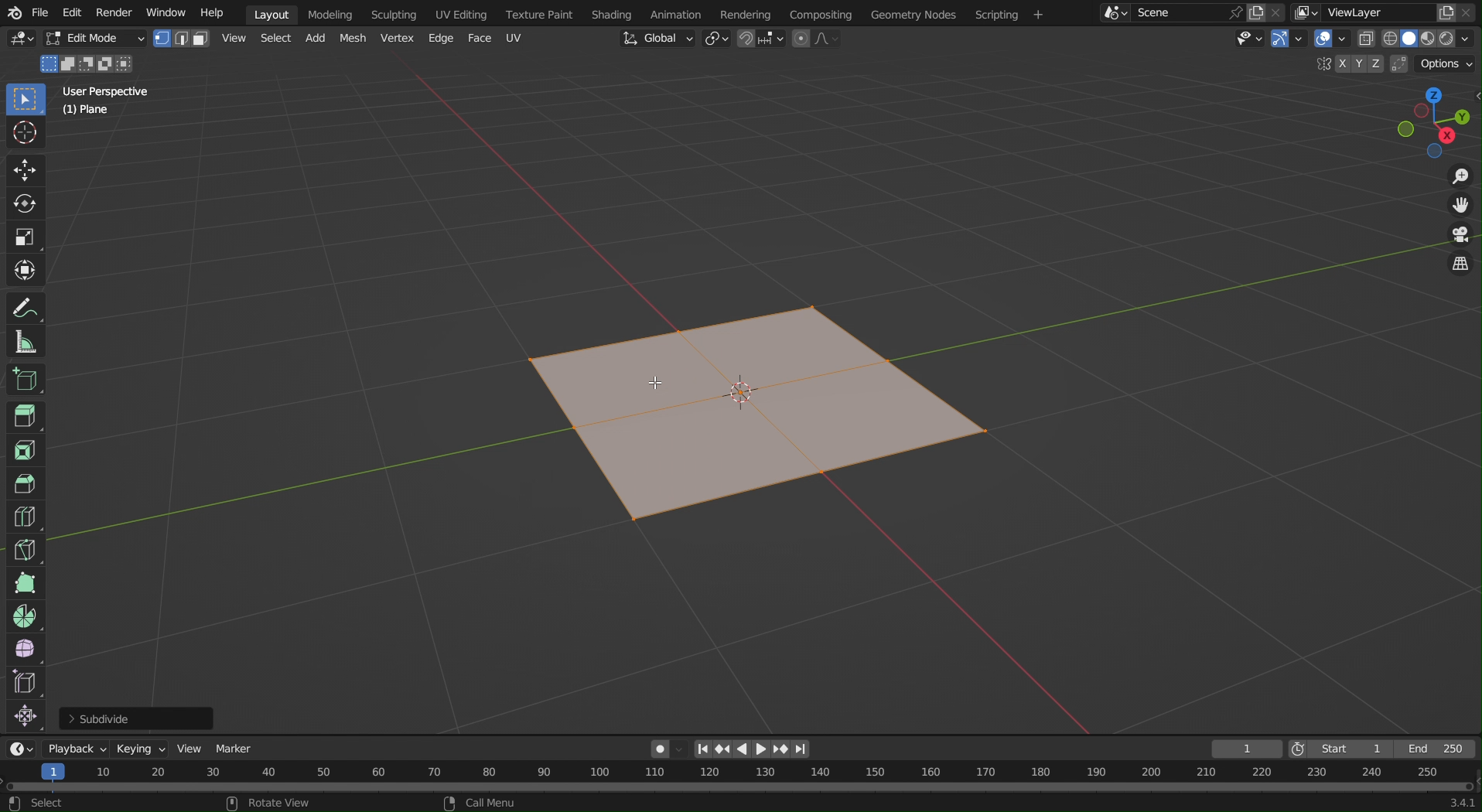 The image size is (1482, 812). What do you see at coordinates (1453, 803) in the screenshot?
I see `3.4.1` at bounding box center [1453, 803].